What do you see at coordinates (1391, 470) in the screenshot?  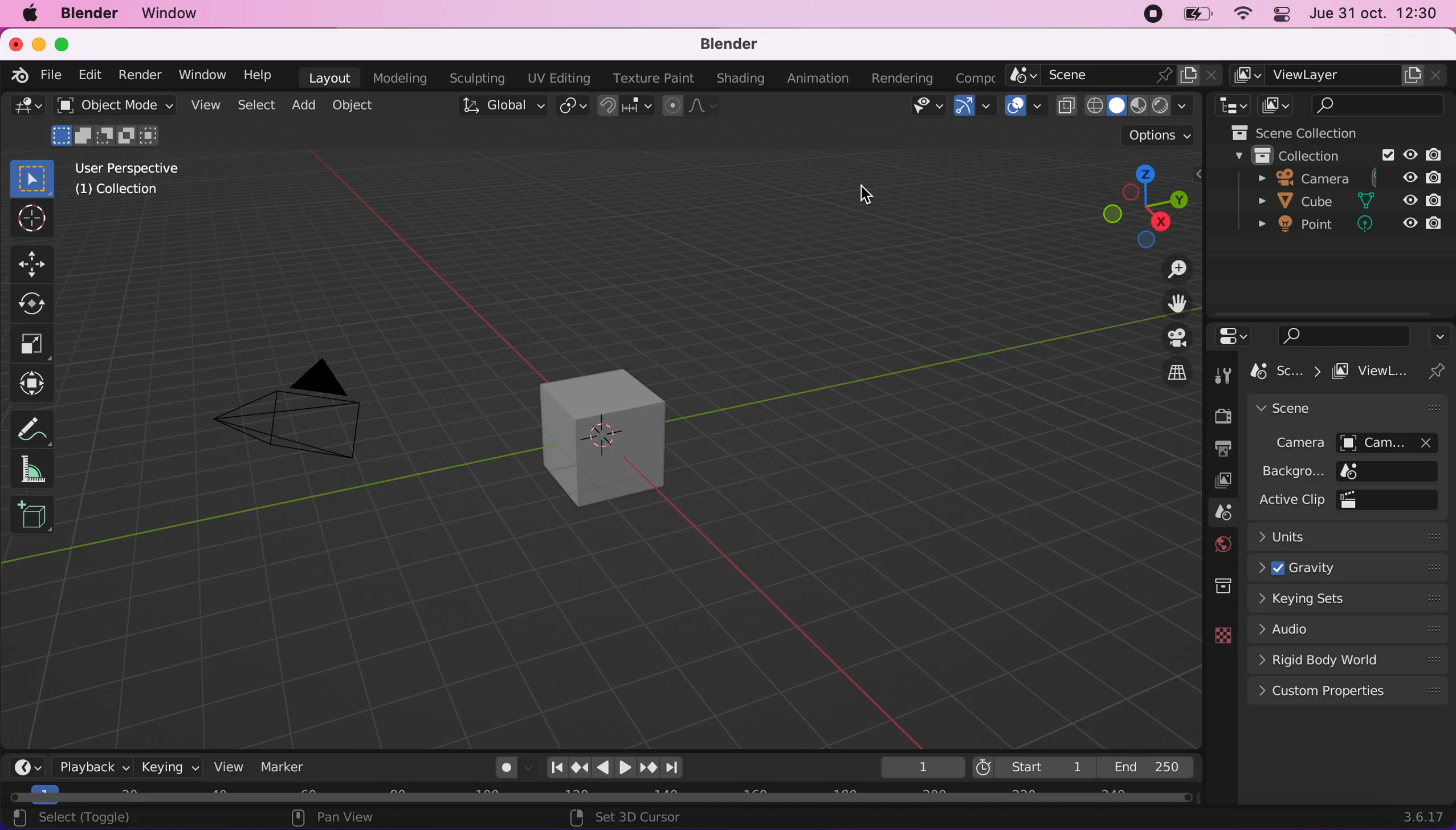 I see `background` at bounding box center [1391, 470].